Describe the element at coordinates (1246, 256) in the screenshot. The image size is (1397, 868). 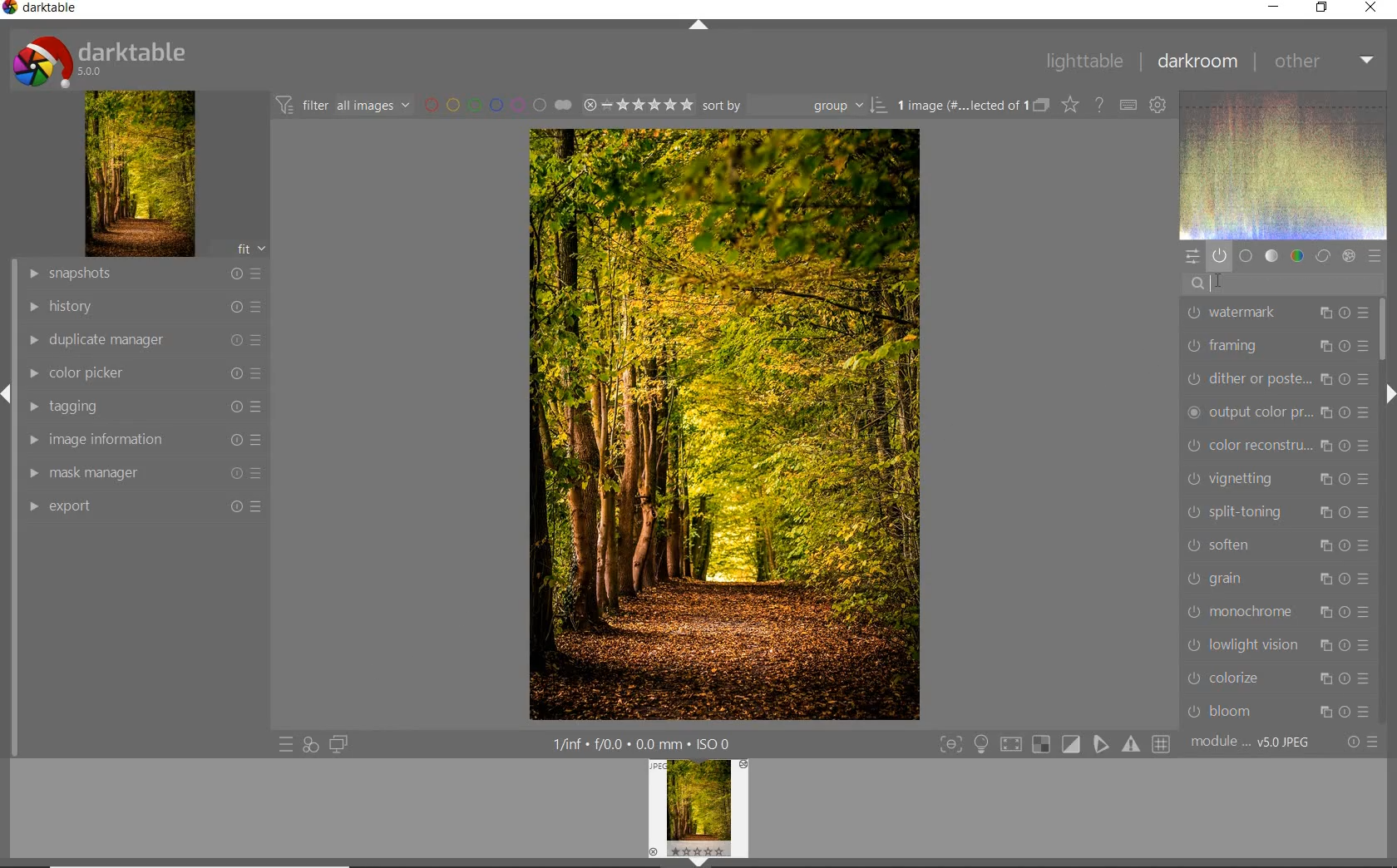
I see `base` at that location.